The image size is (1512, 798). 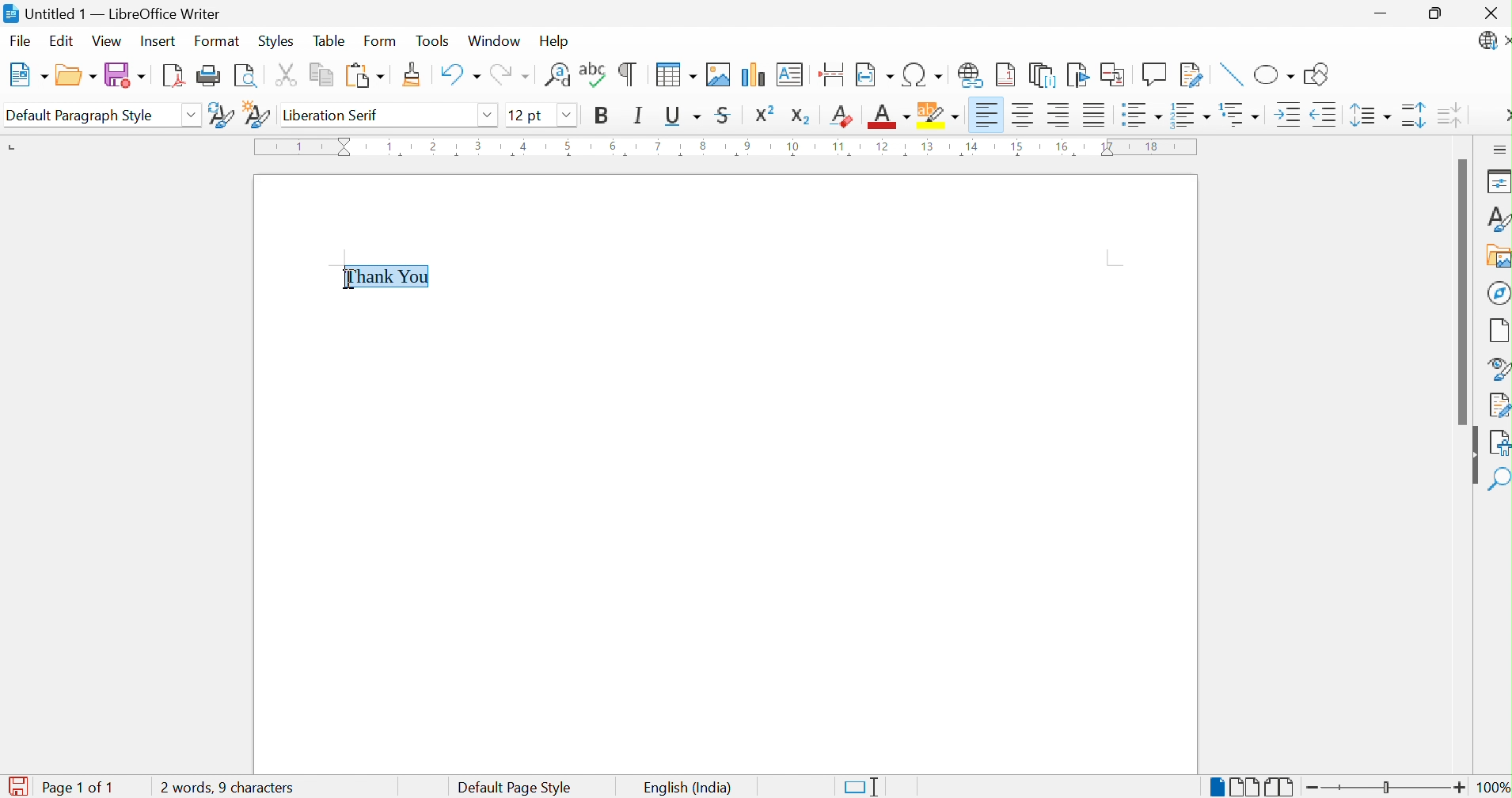 What do you see at coordinates (365, 76) in the screenshot?
I see `Paste` at bounding box center [365, 76].